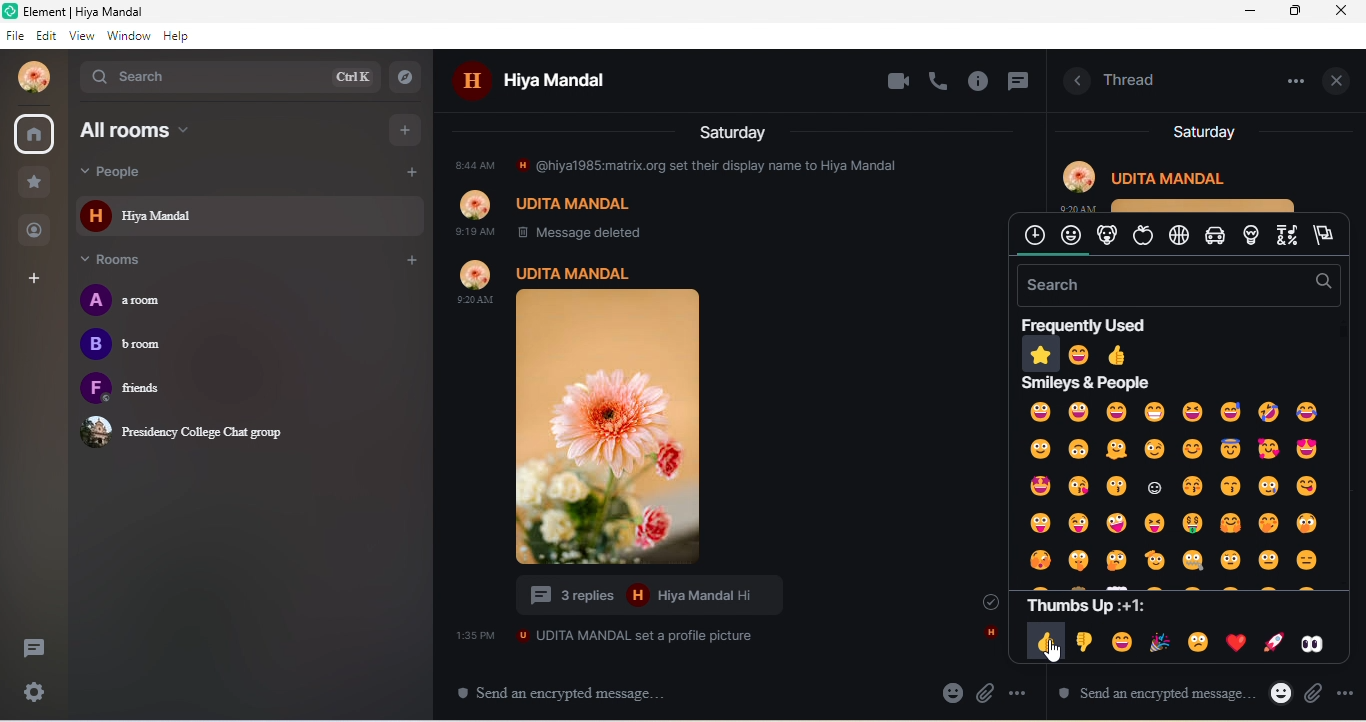 This screenshot has height=722, width=1366. I want to click on maximize, so click(1297, 11).